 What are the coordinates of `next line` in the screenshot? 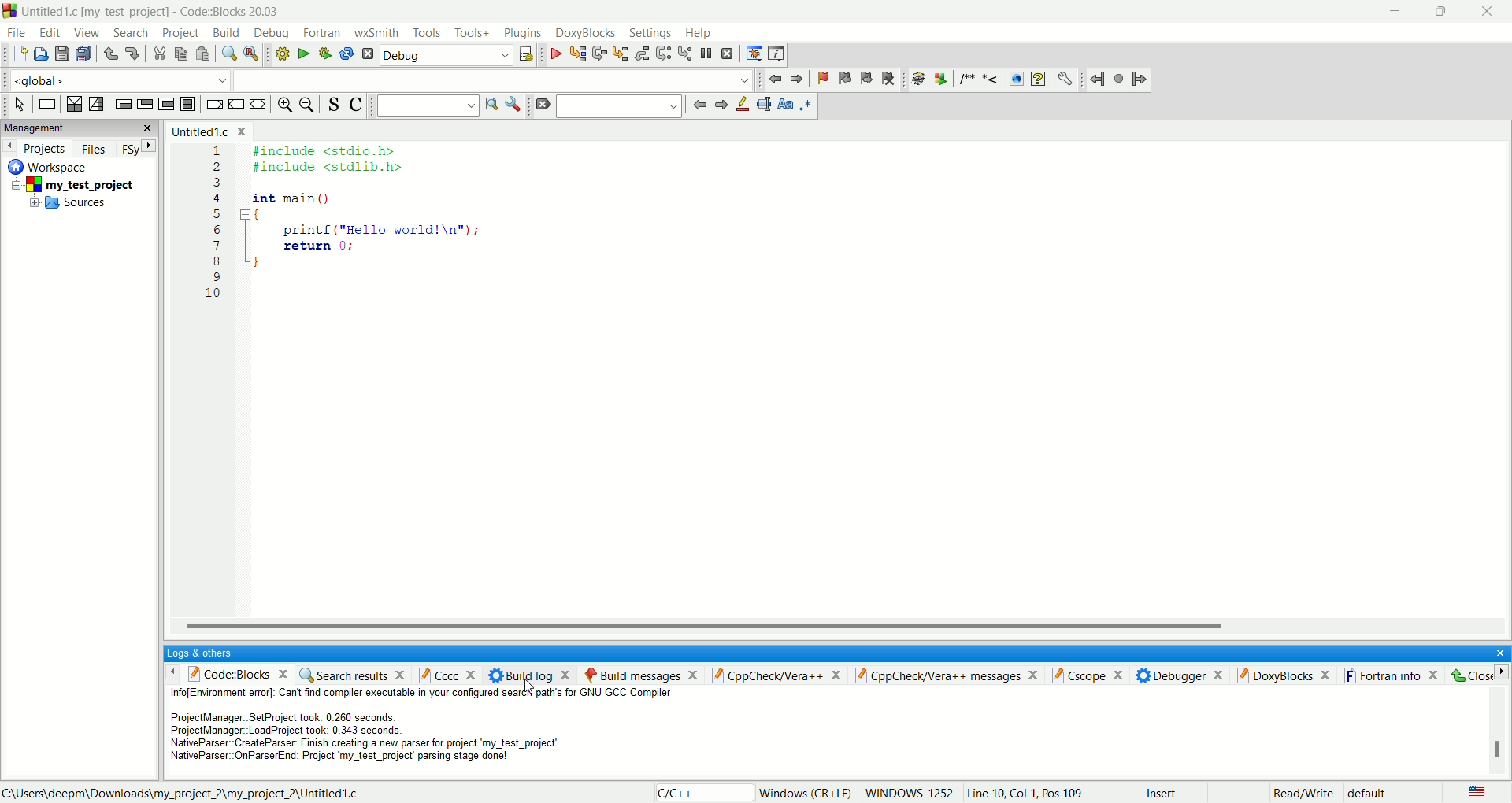 It's located at (600, 54).